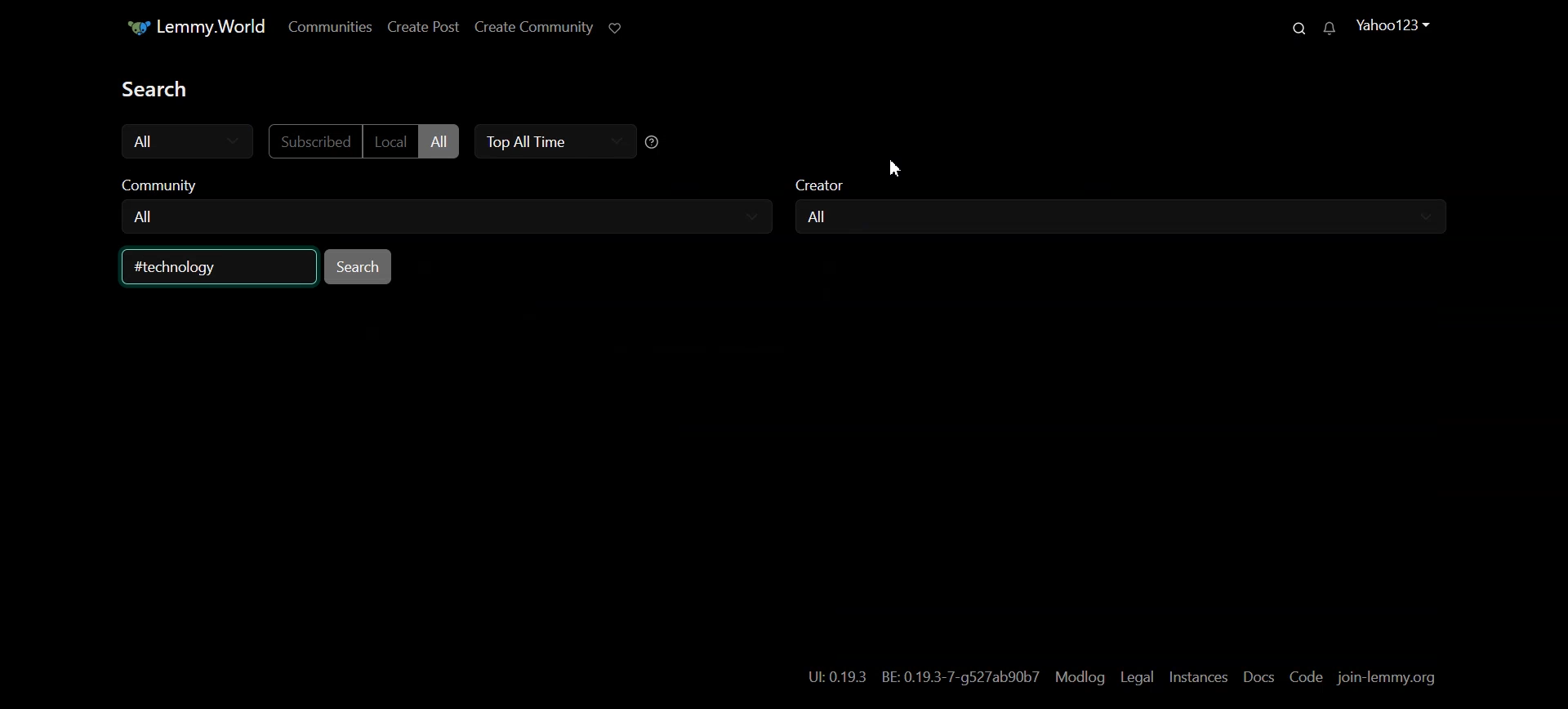 This screenshot has width=1568, height=709. I want to click on Code, so click(1307, 676).